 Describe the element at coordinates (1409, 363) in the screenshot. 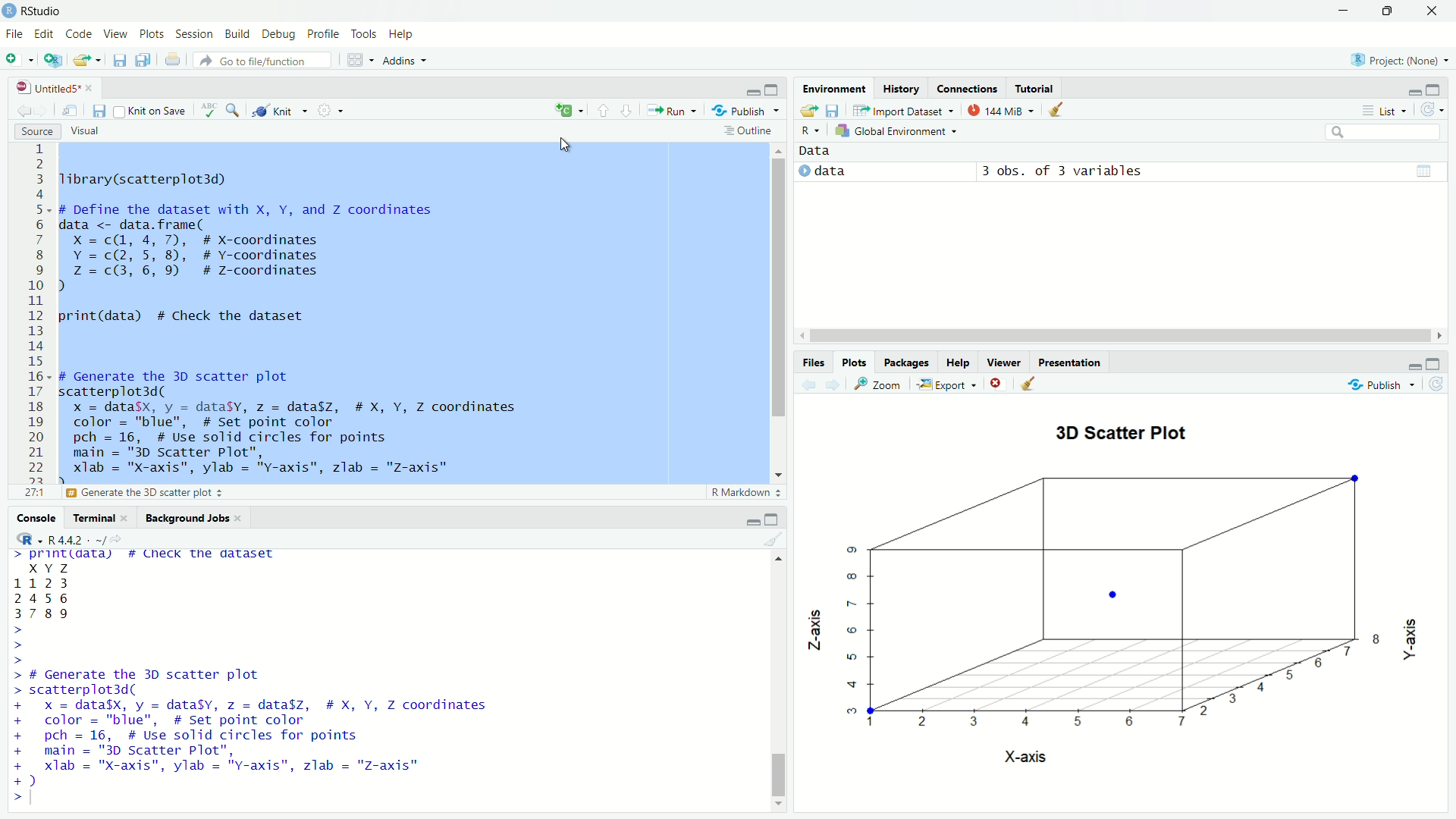

I see `minimize` at that location.